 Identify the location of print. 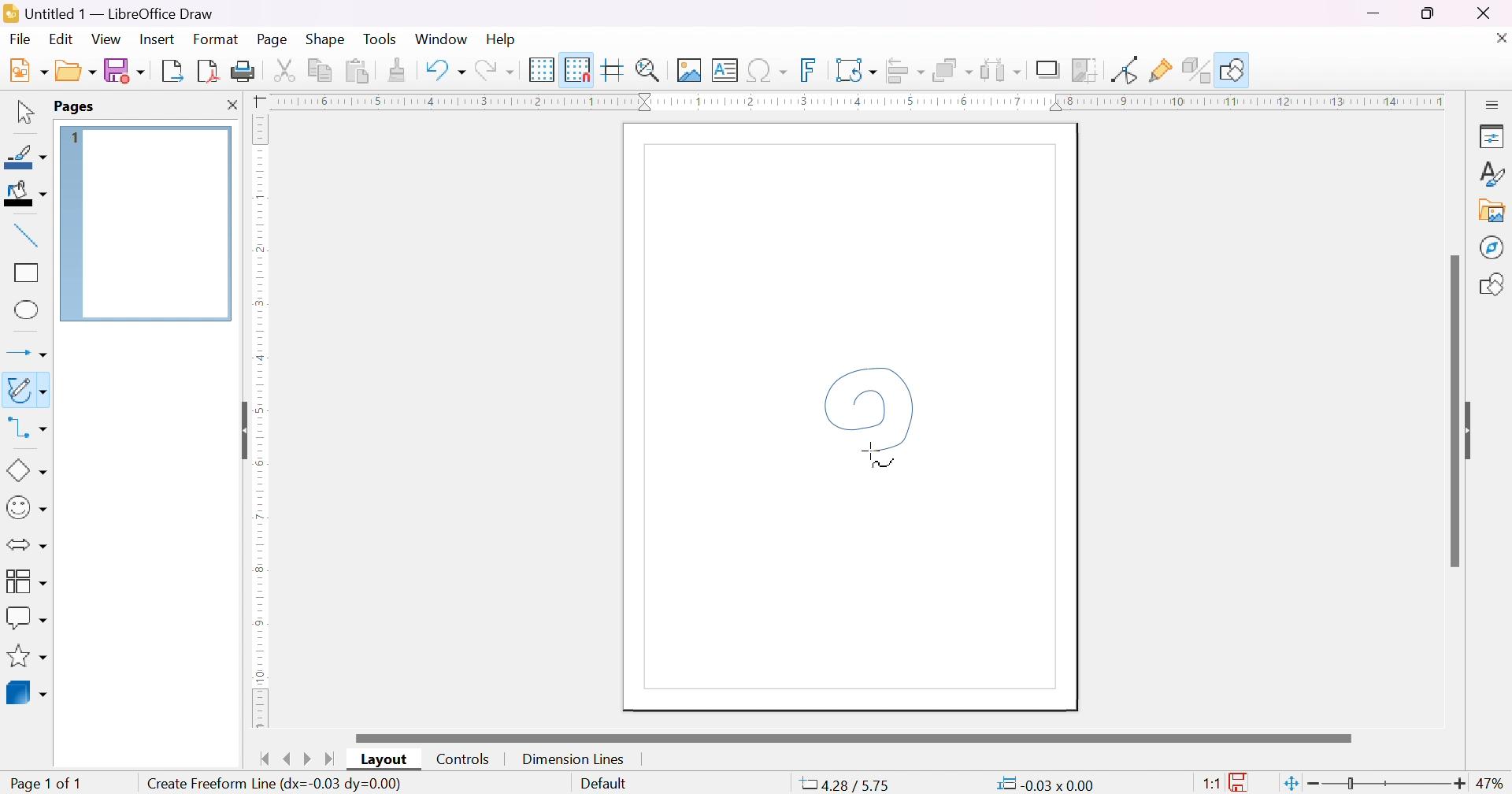
(245, 72).